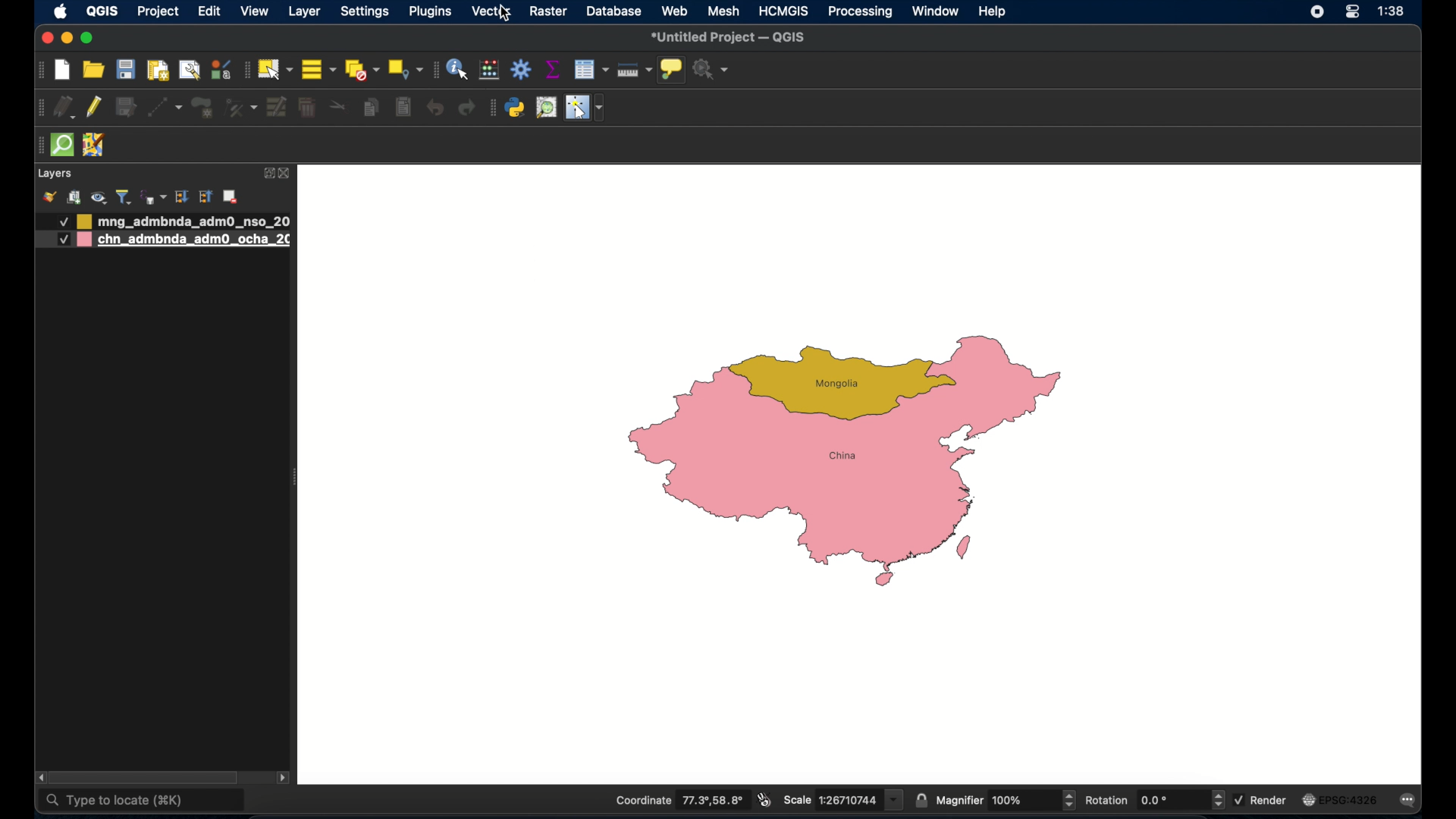  I want to click on filter legen by expression, so click(152, 196).